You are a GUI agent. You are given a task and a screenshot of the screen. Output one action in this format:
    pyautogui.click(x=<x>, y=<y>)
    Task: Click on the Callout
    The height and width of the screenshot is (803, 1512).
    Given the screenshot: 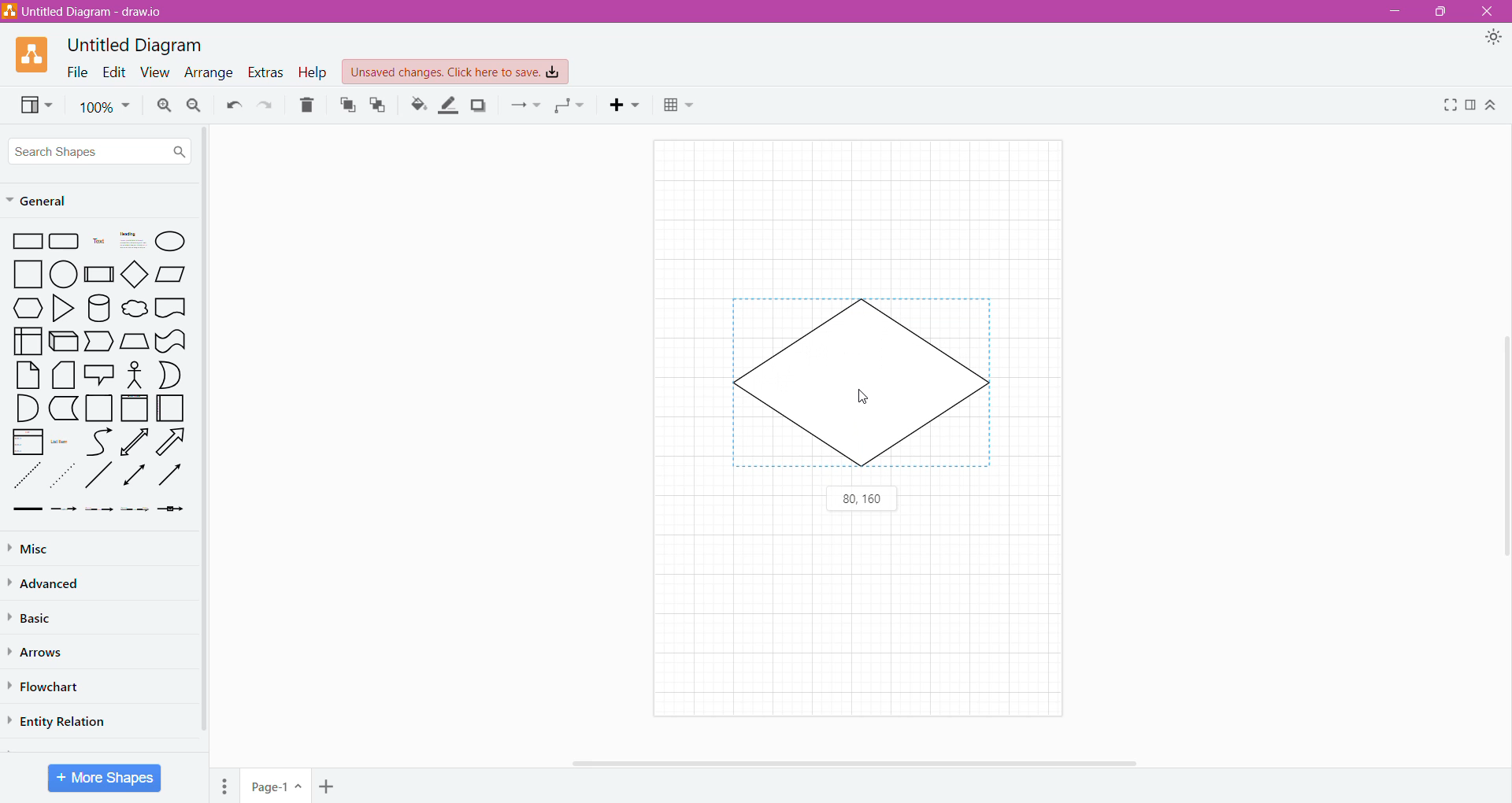 What is the action you would take?
    pyautogui.click(x=98, y=376)
    